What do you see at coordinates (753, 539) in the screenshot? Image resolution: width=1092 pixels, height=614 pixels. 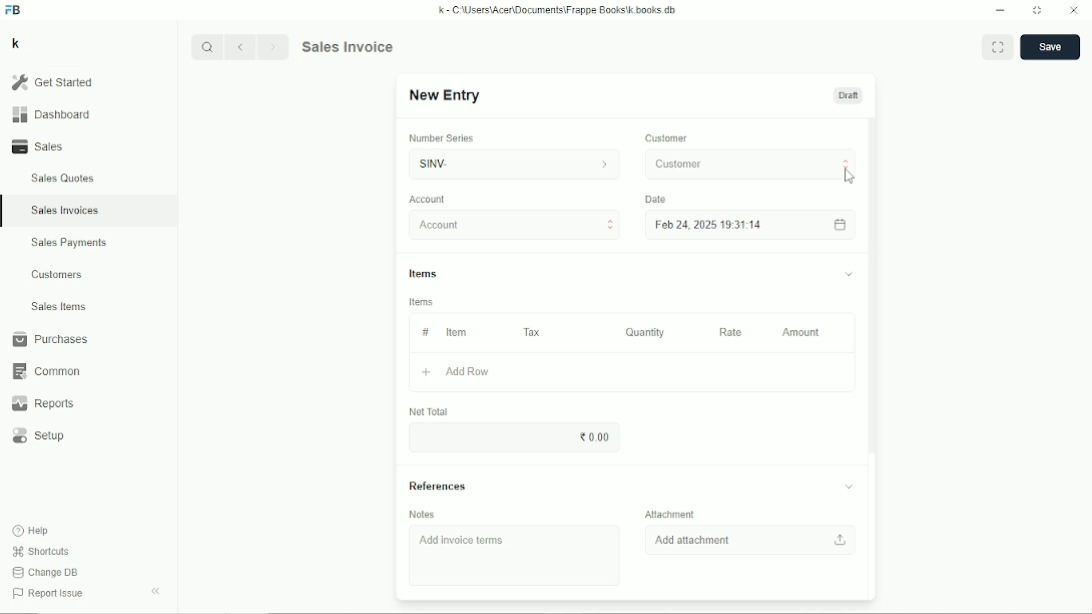 I see `Add attachment` at bounding box center [753, 539].